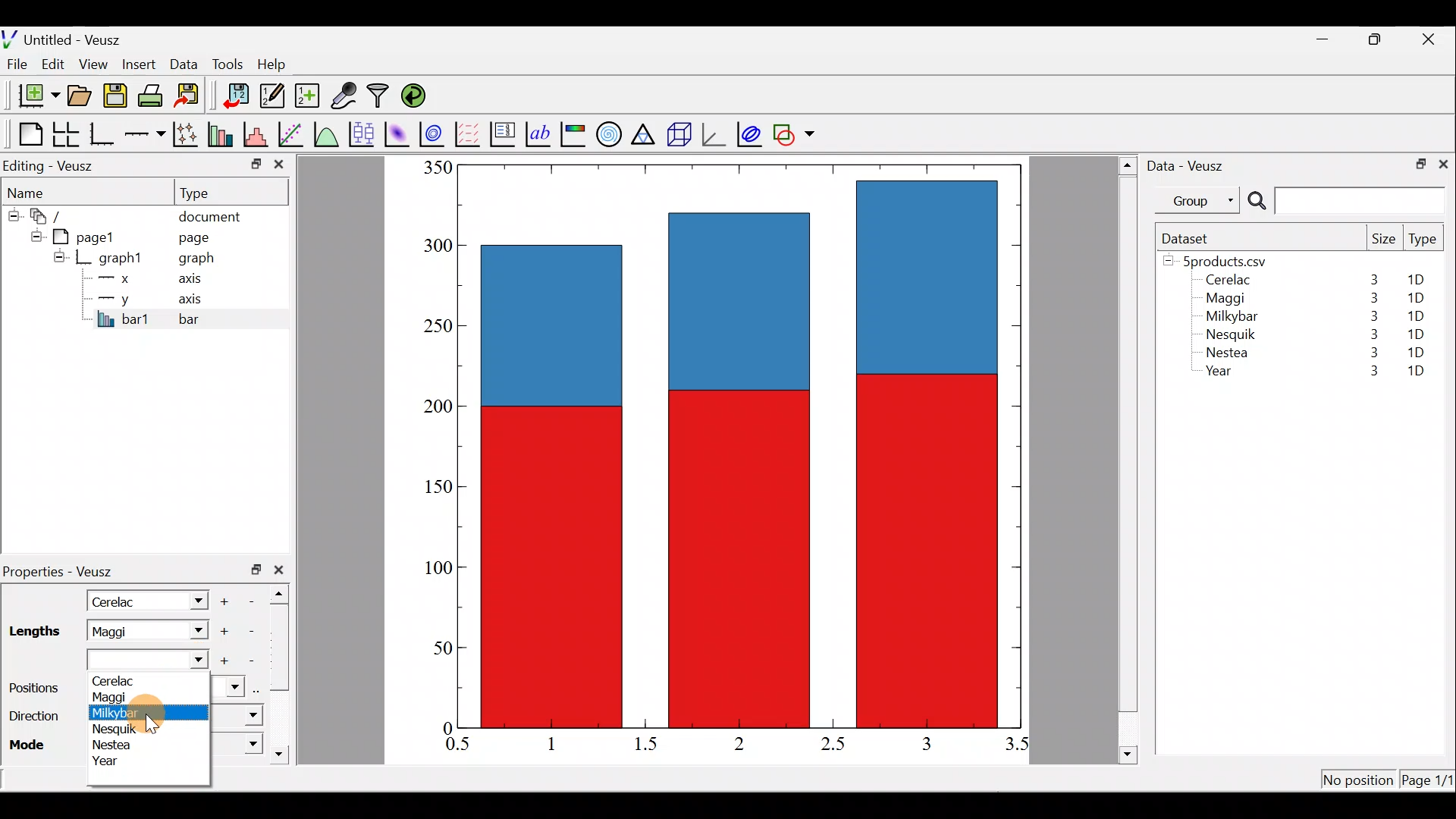 The height and width of the screenshot is (819, 1456). What do you see at coordinates (563, 743) in the screenshot?
I see `1` at bounding box center [563, 743].